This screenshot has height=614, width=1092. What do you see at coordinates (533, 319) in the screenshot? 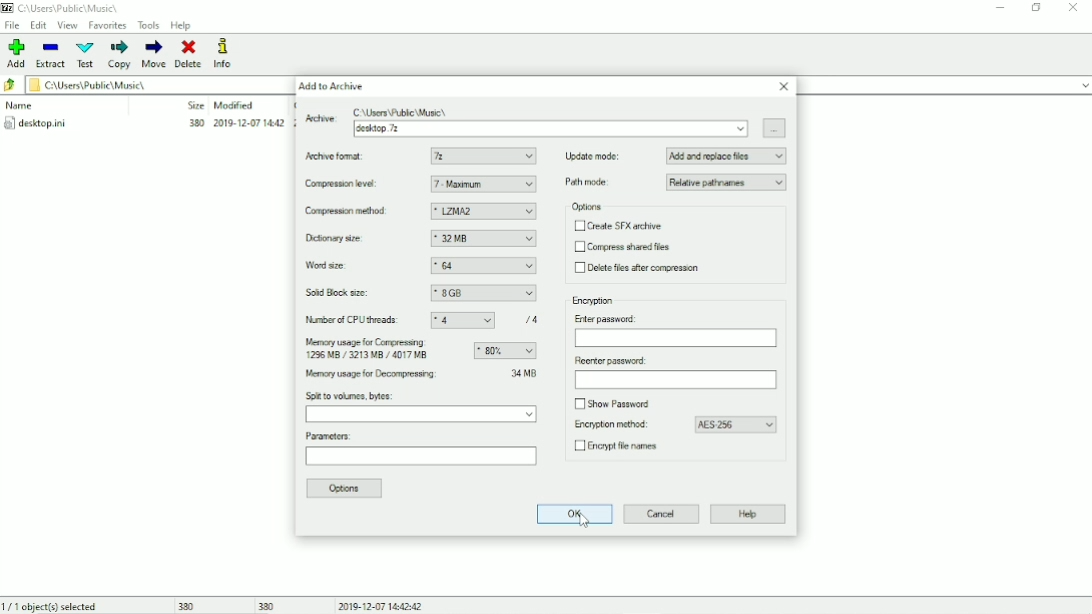
I see `/4` at bounding box center [533, 319].